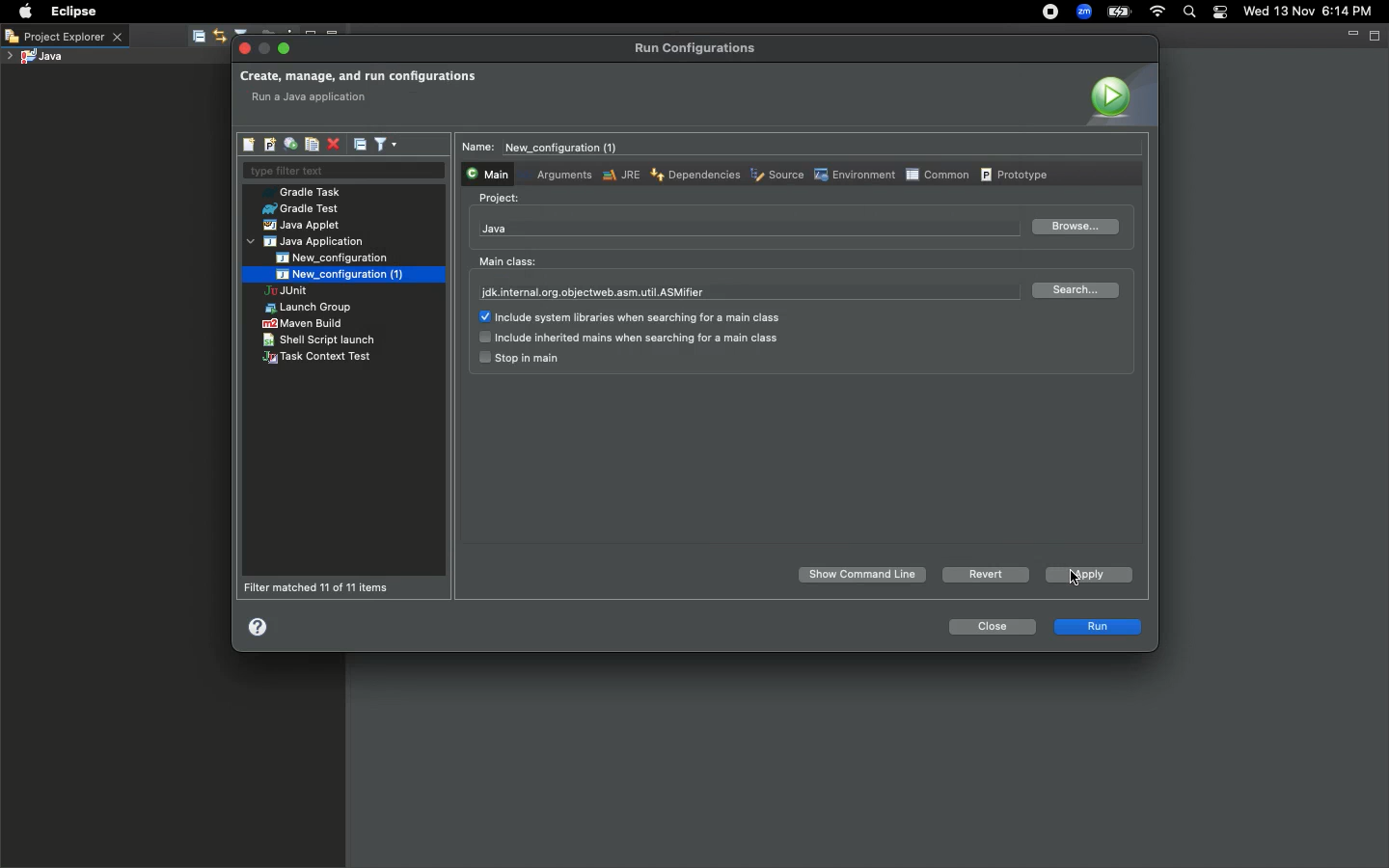  Describe the element at coordinates (694, 174) in the screenshot. I see `Dependencies` at that location.